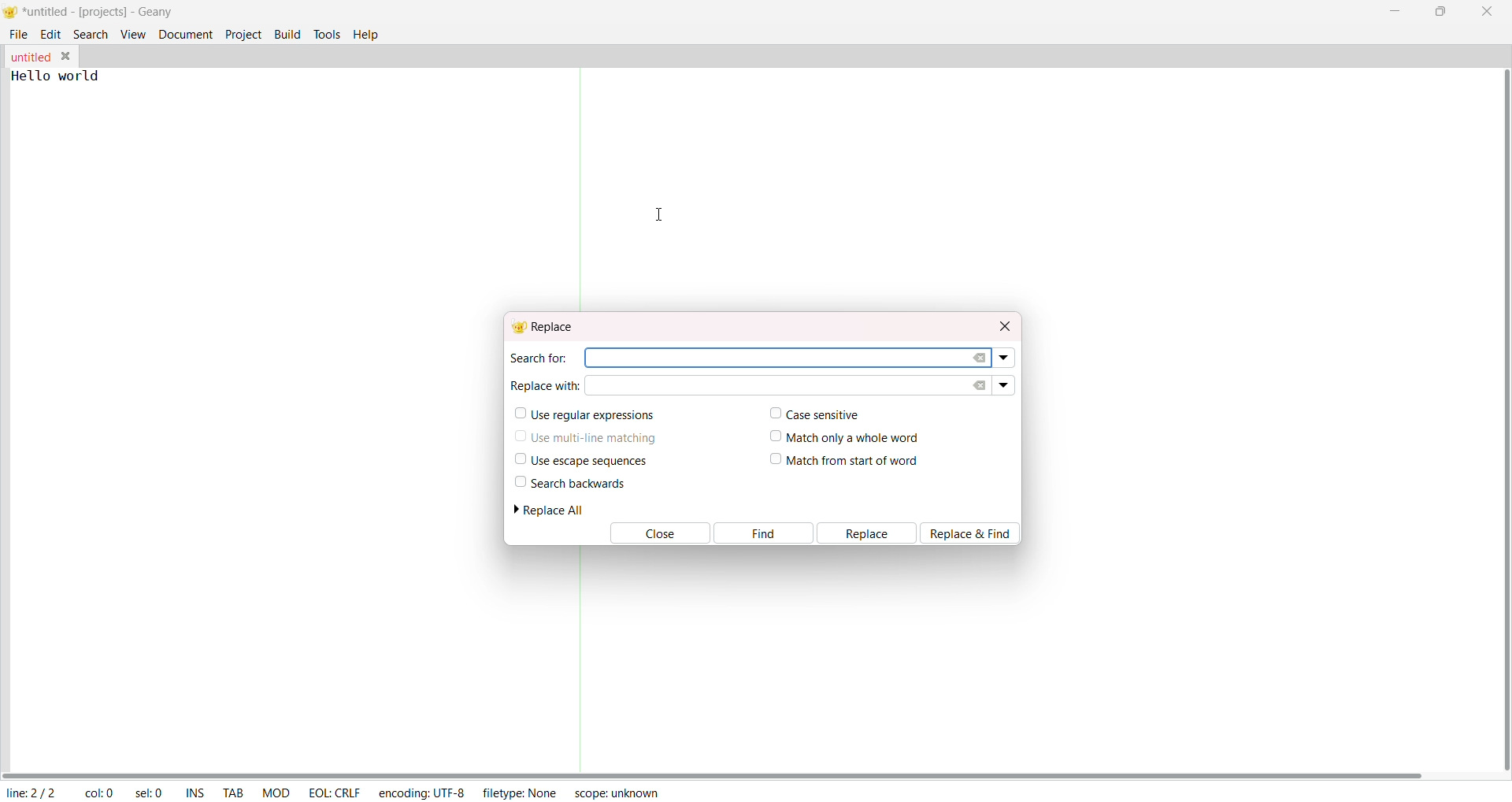  I want to click on clear replace, so click(980, 385).